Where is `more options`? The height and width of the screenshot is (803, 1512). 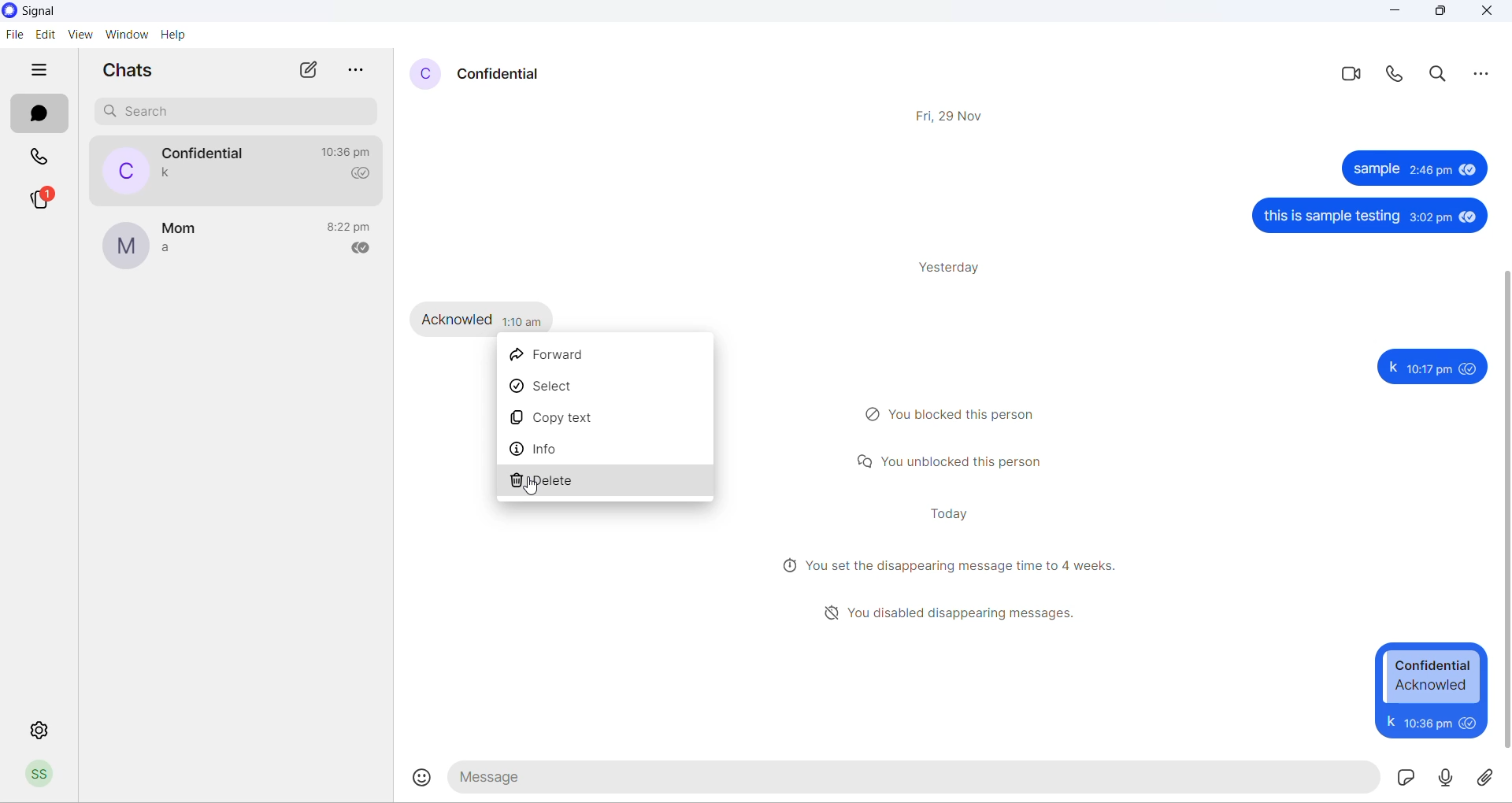 more options is located at coordinates (1484, 72).